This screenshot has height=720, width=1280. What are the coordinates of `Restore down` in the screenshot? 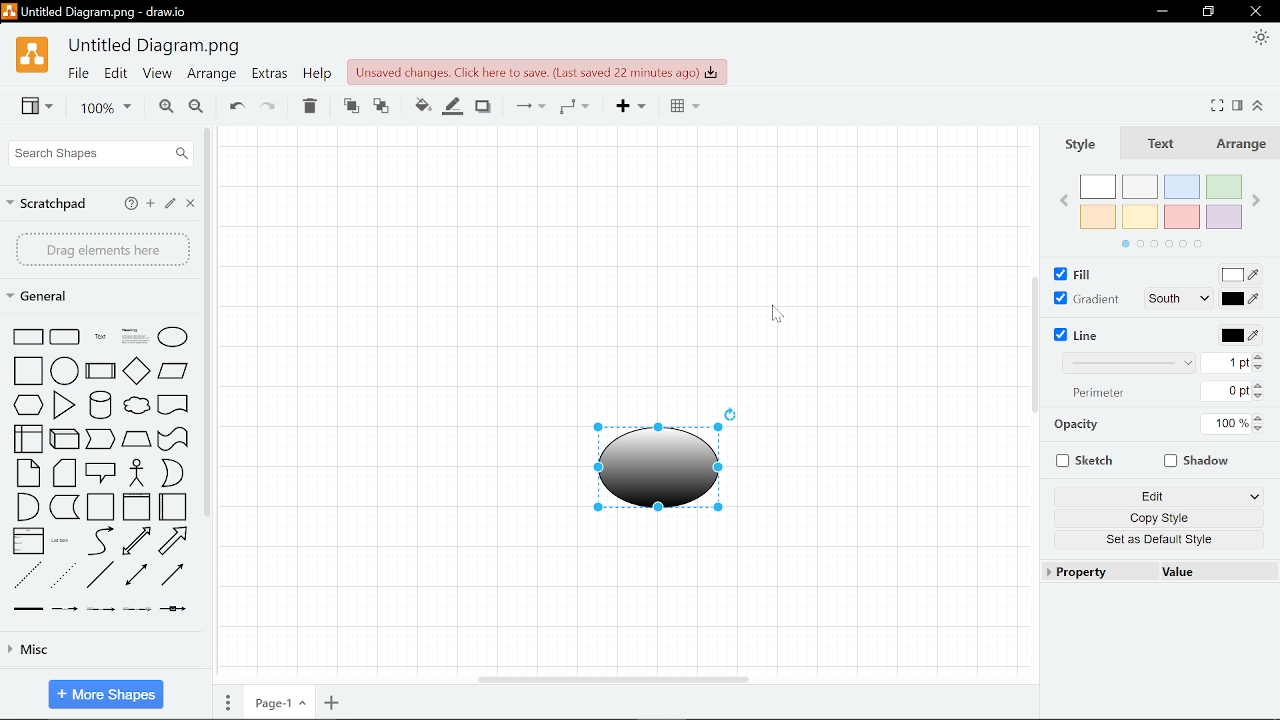 It's located at (1211, 11).